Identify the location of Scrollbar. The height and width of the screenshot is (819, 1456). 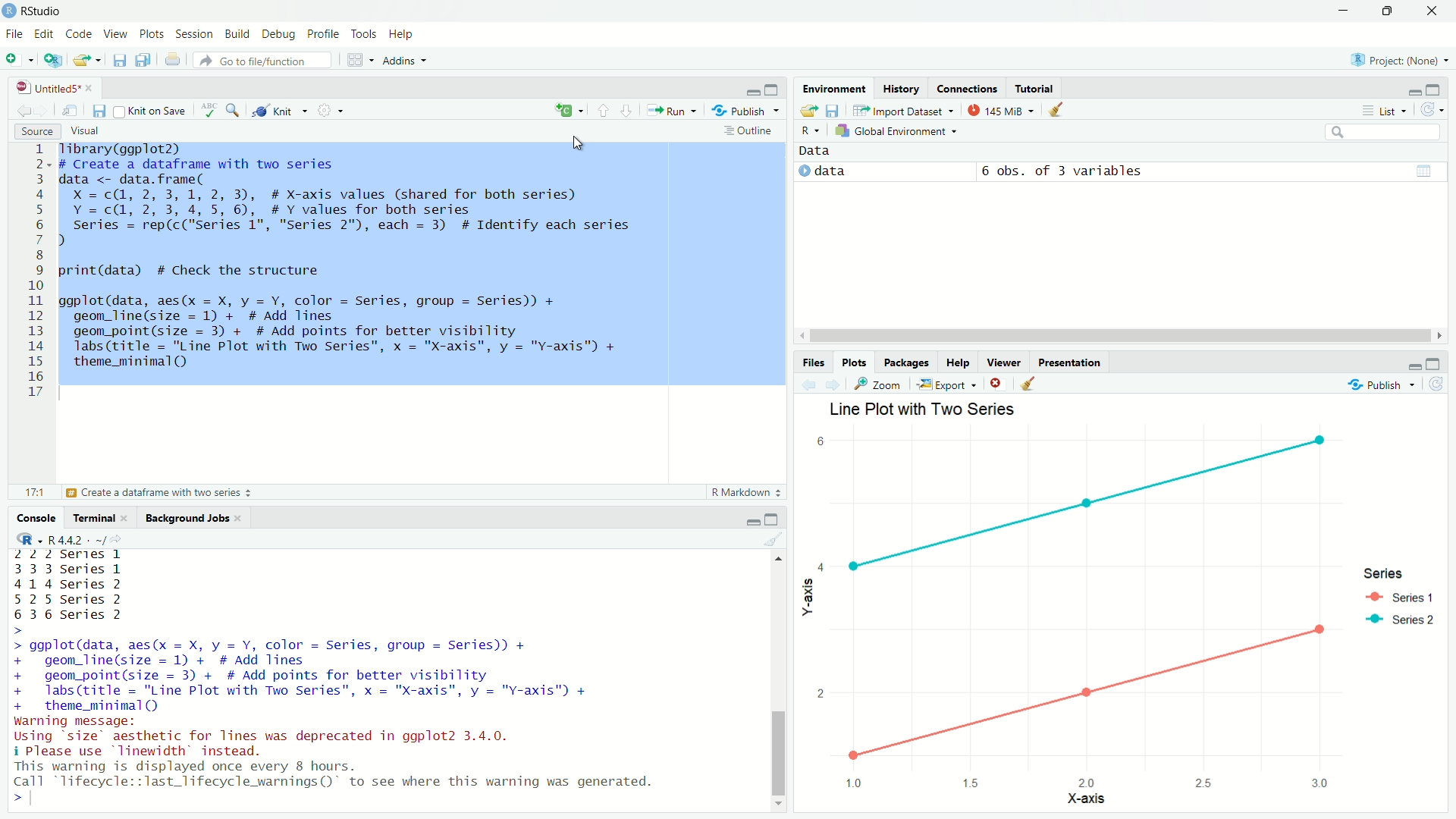
(1116, 336).